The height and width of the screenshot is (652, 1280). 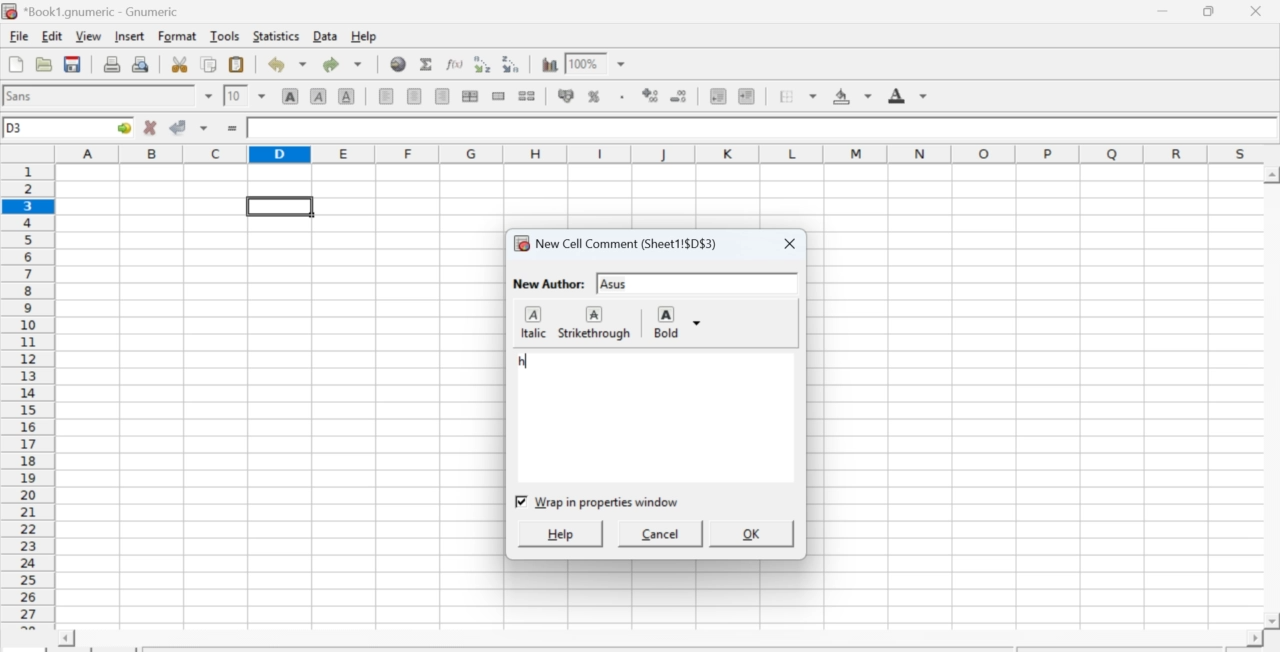 What do you see at coordinates (346, 96) in the screenshot?
I see `Underground` at bounding box center [346, 96].